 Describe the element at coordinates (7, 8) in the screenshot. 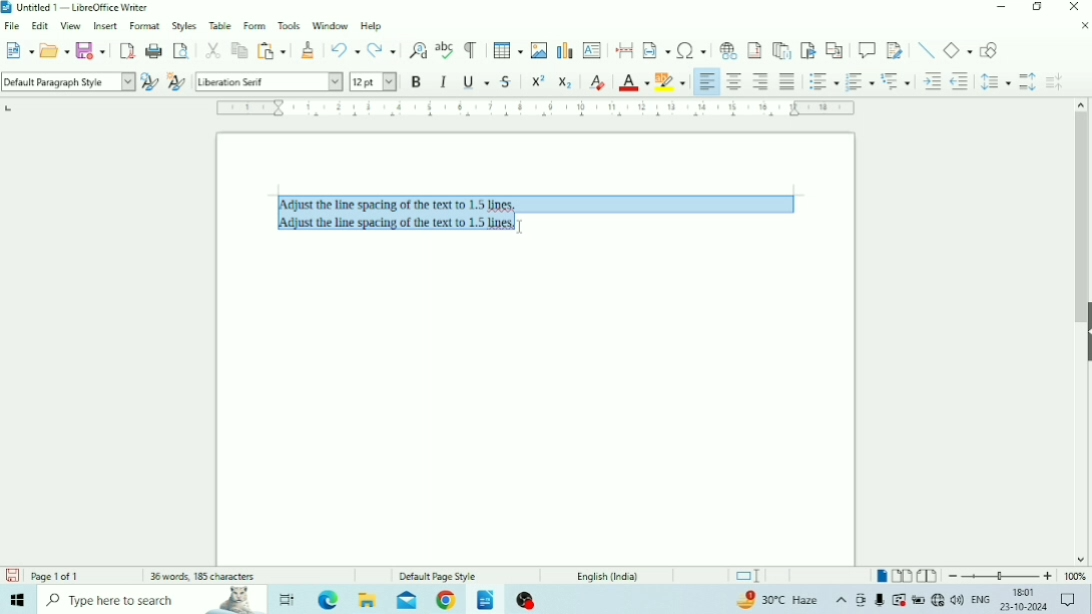

I see `Logo` at that location.